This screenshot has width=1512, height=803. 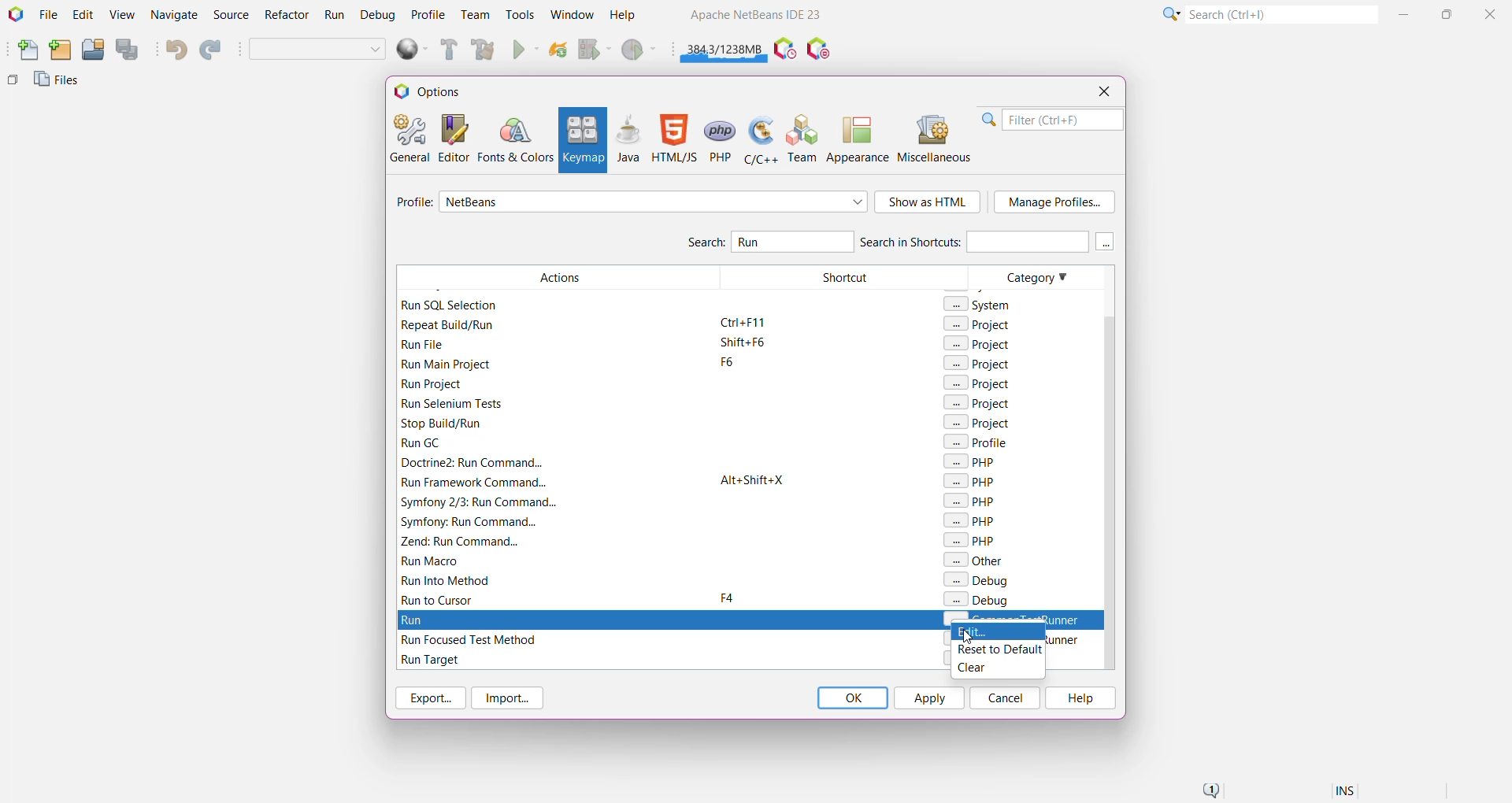 I want to click on Refactor, so click(x=288, y=17).